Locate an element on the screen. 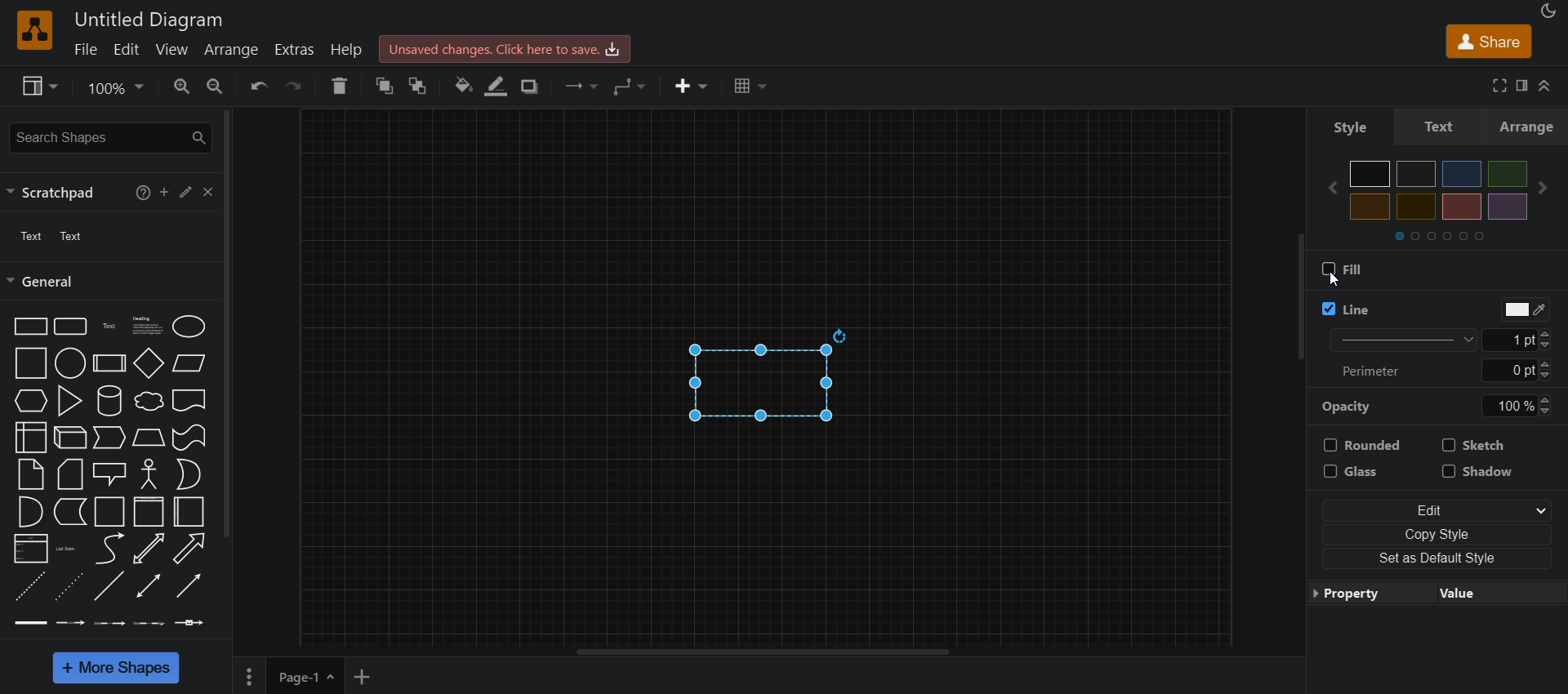 The width and height of the screenshot is (1568, 694). edit is located at coordinates (186, 193).